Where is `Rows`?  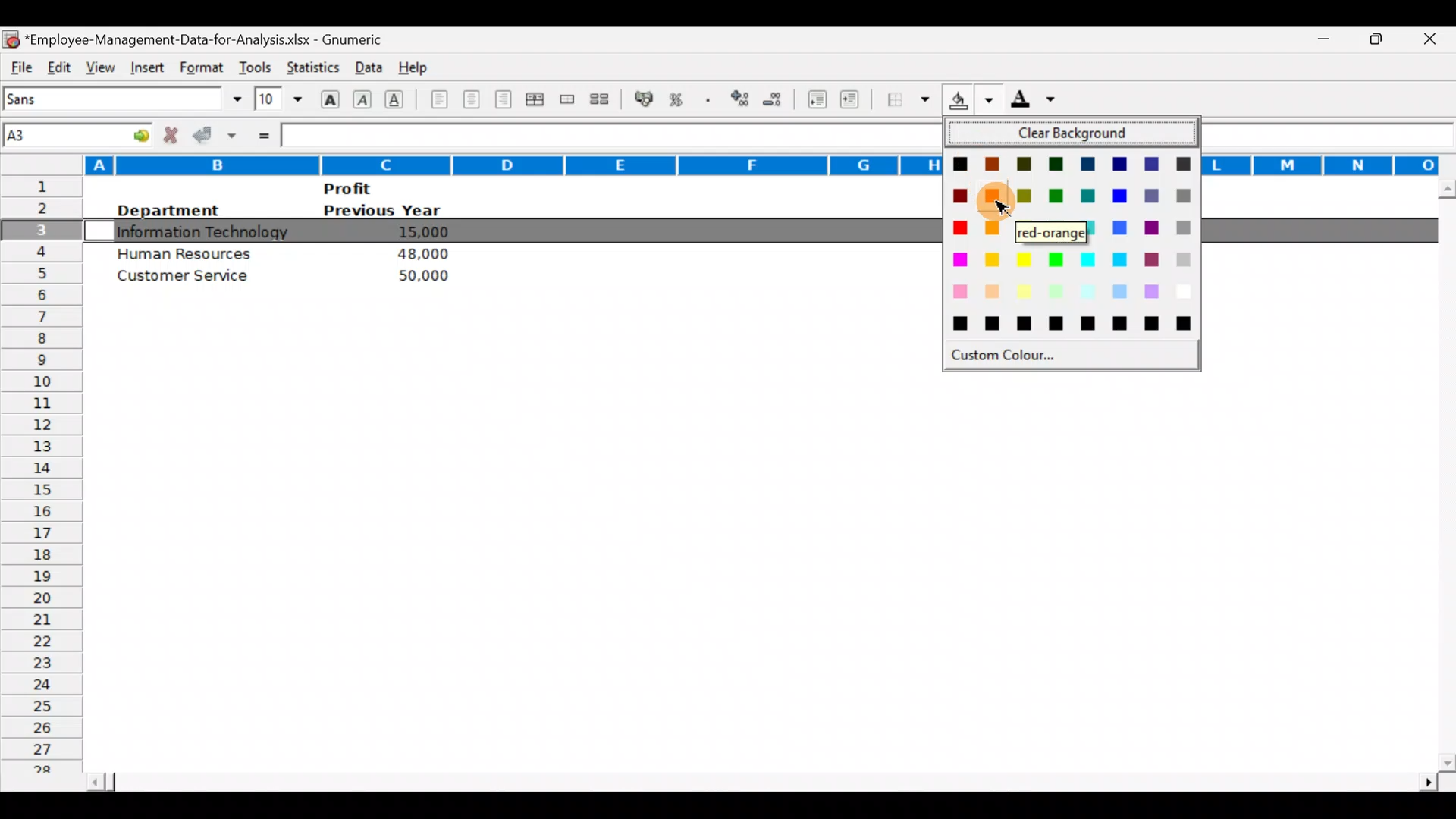 Rows is located at coordinates (41, 479).